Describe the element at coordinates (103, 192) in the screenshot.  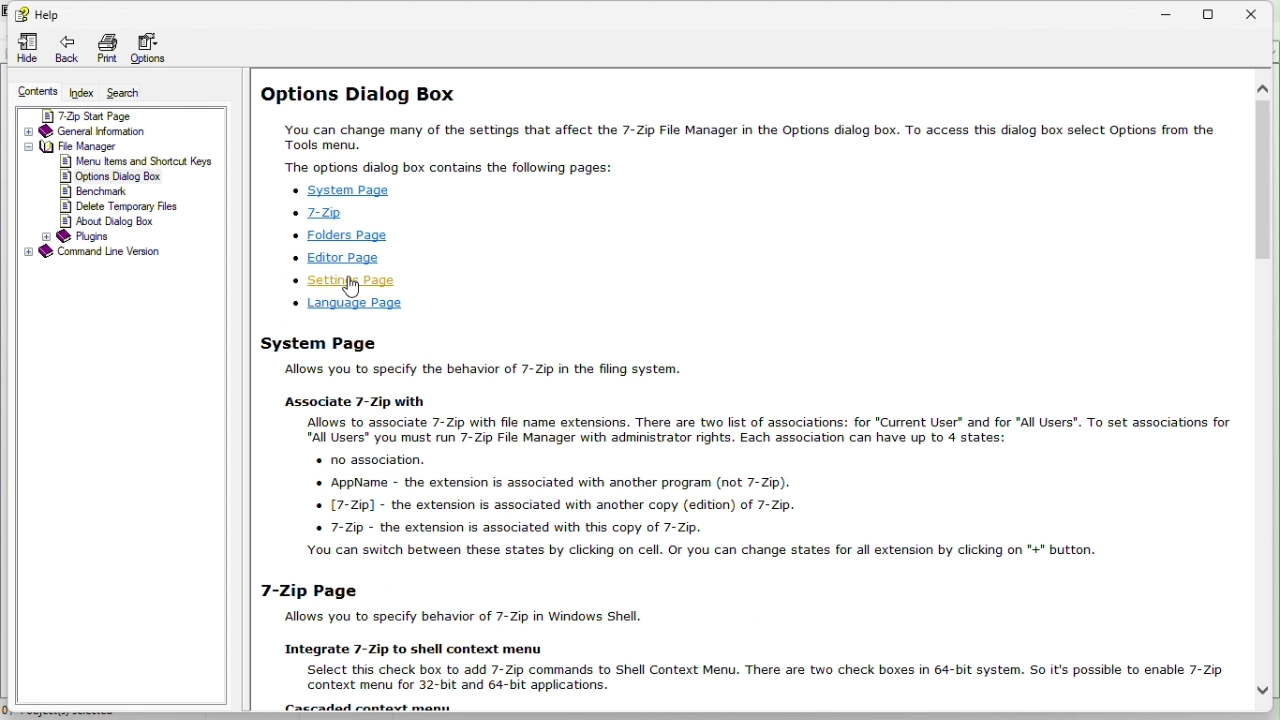
I see `benchmark` at that location.